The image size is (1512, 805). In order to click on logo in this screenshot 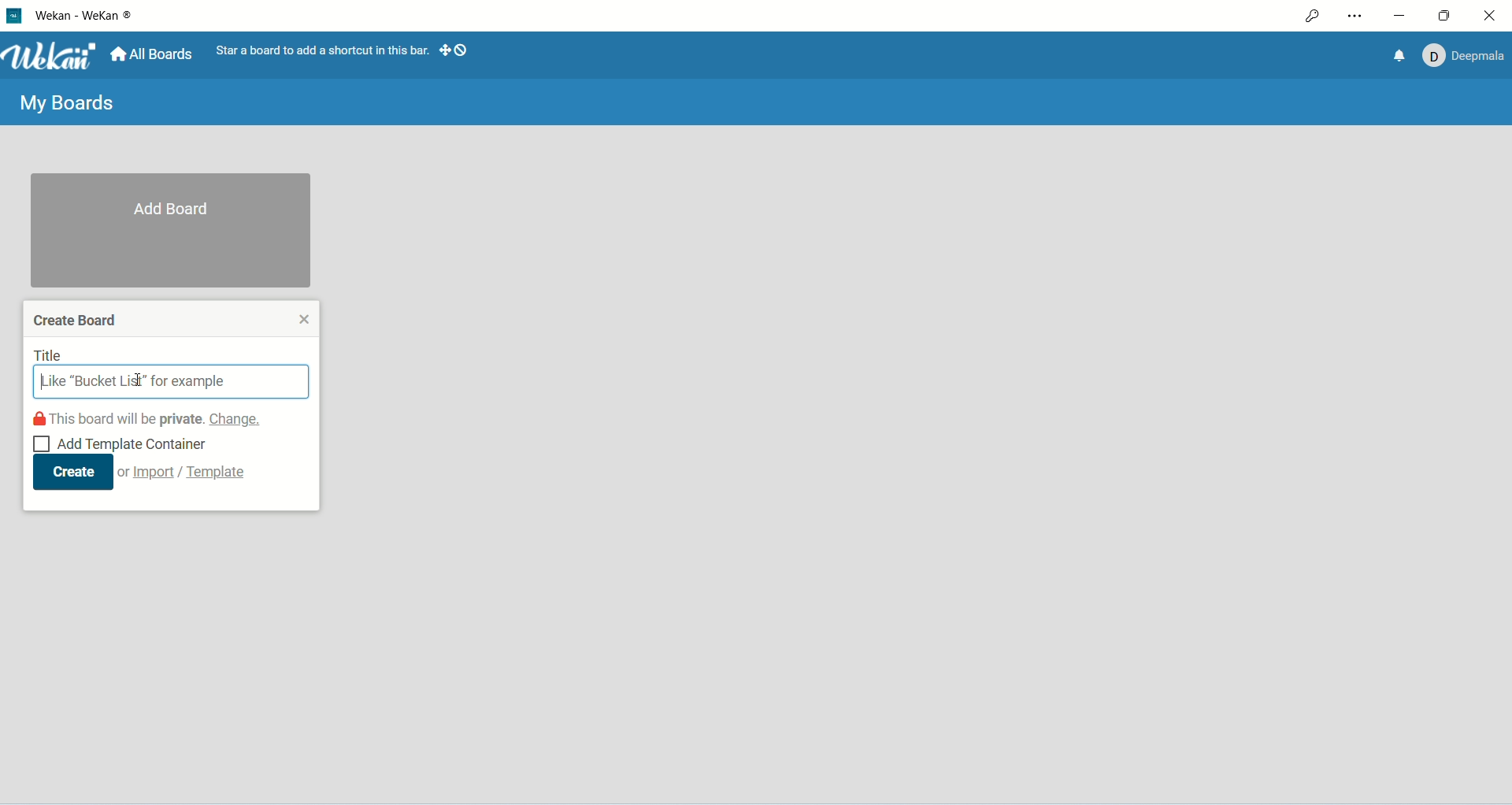, I will do `click(14, 17)`.